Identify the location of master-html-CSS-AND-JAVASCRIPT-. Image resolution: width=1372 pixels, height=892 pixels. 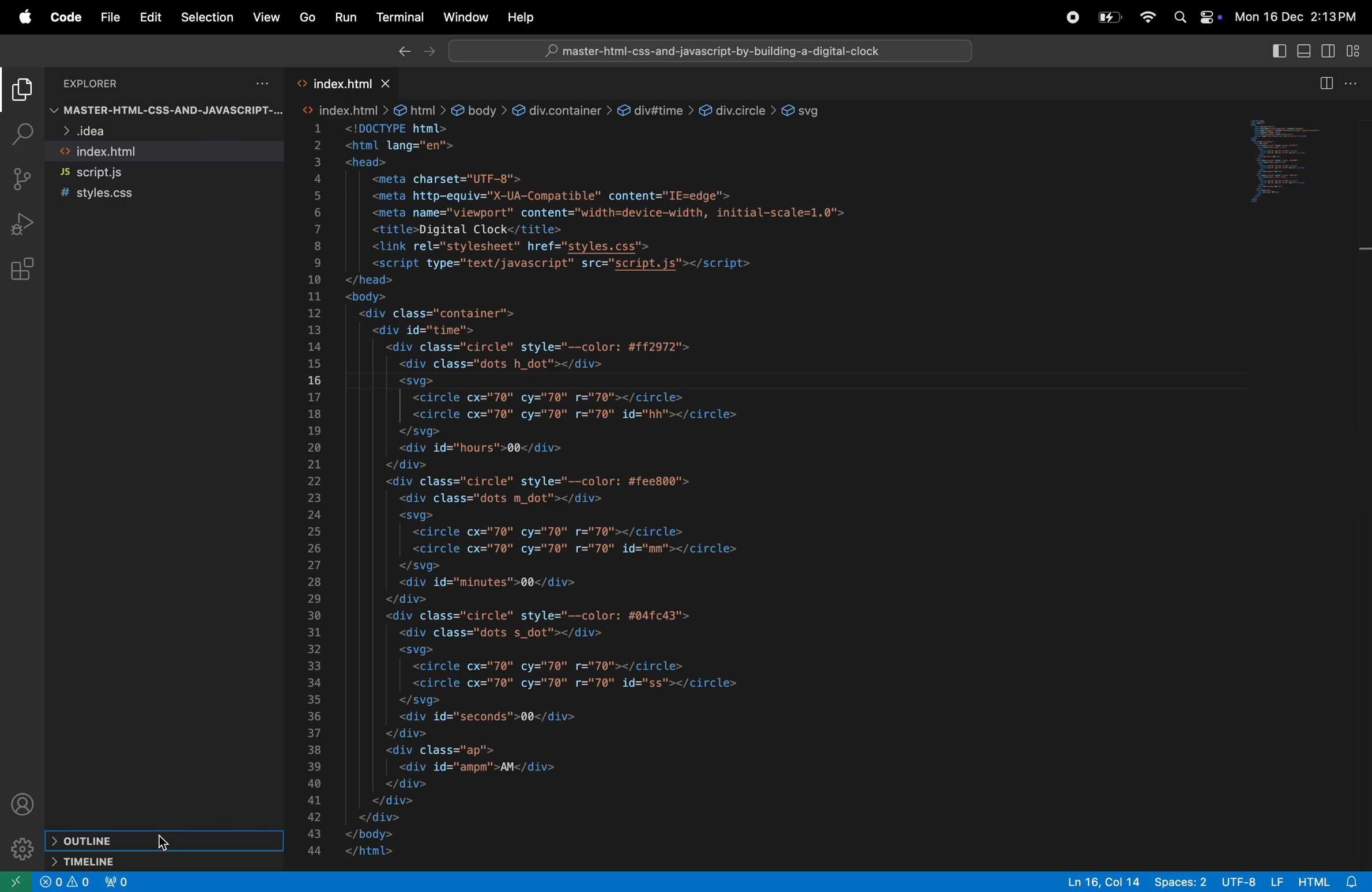
(168, 112).